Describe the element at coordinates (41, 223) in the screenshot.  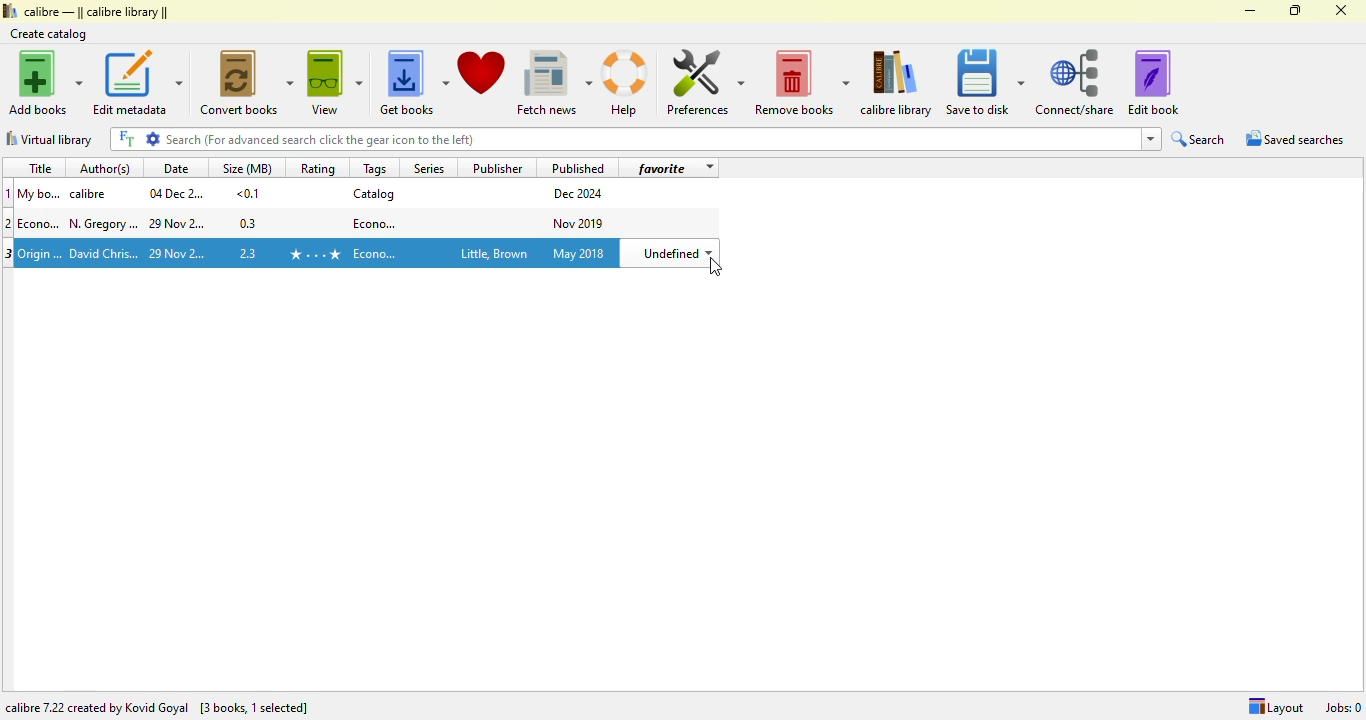
I see `title` at that location.